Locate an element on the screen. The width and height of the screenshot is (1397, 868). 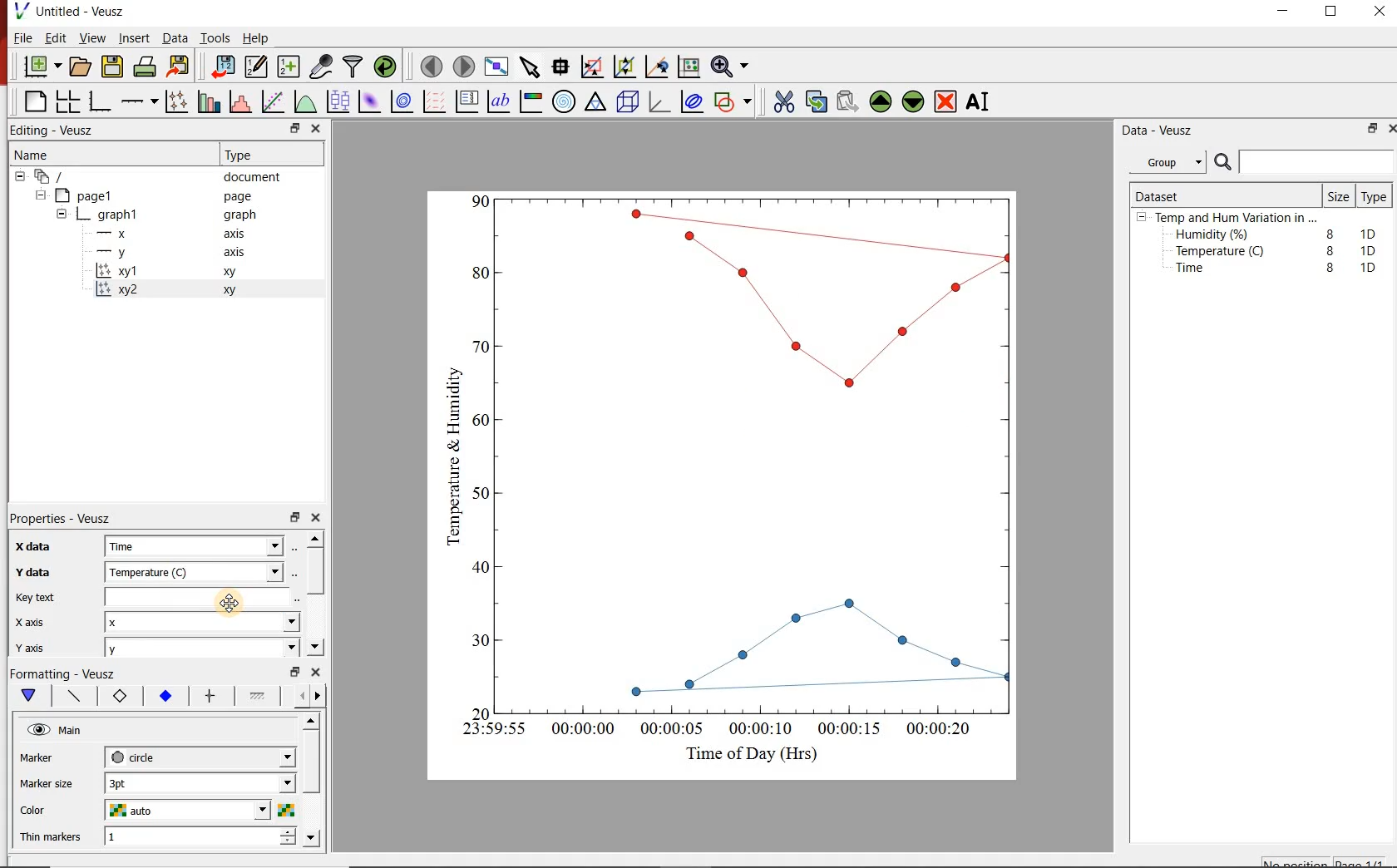
00:00:05 is located at coordinates (667, 732).